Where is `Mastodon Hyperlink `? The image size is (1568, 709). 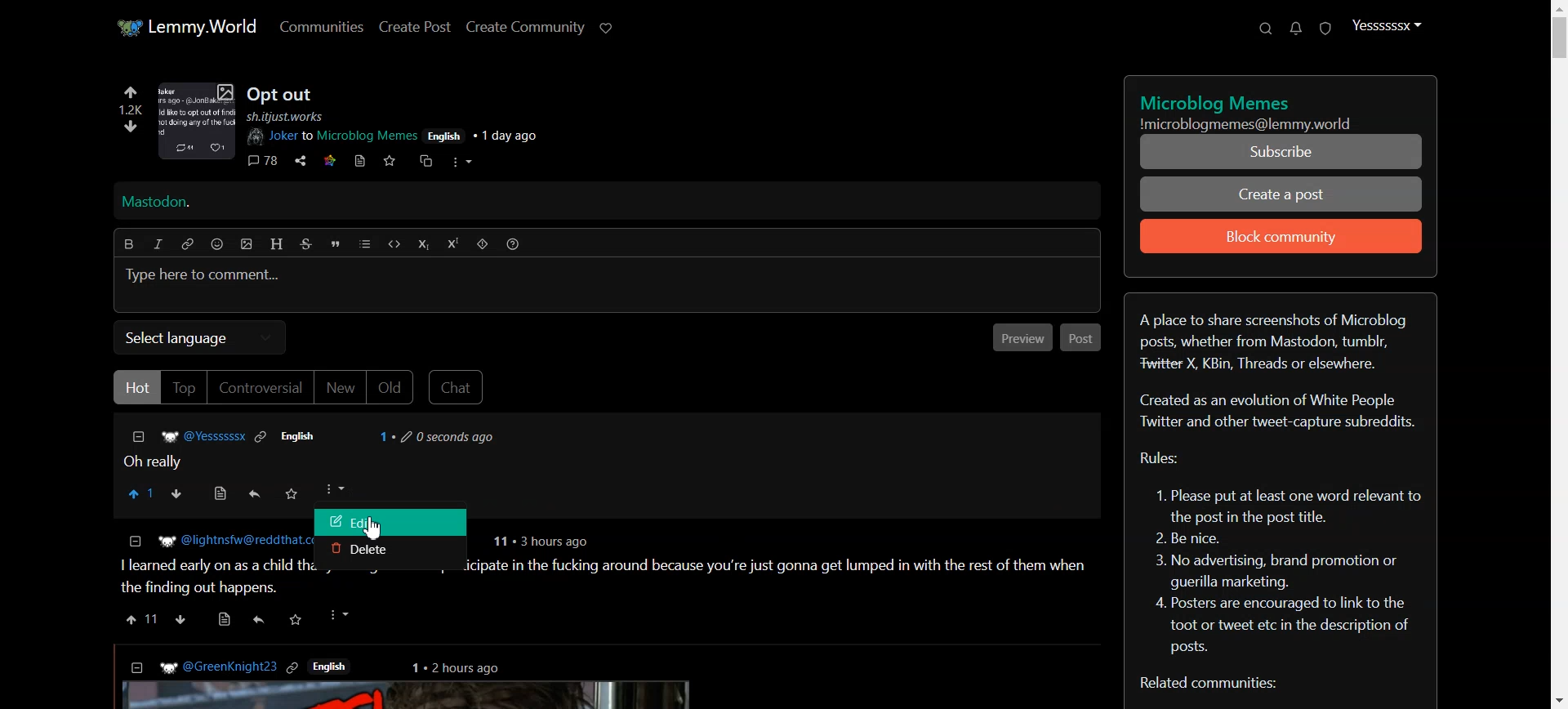
Mastodon Hyperlink  is located at coordinates (609, 200).